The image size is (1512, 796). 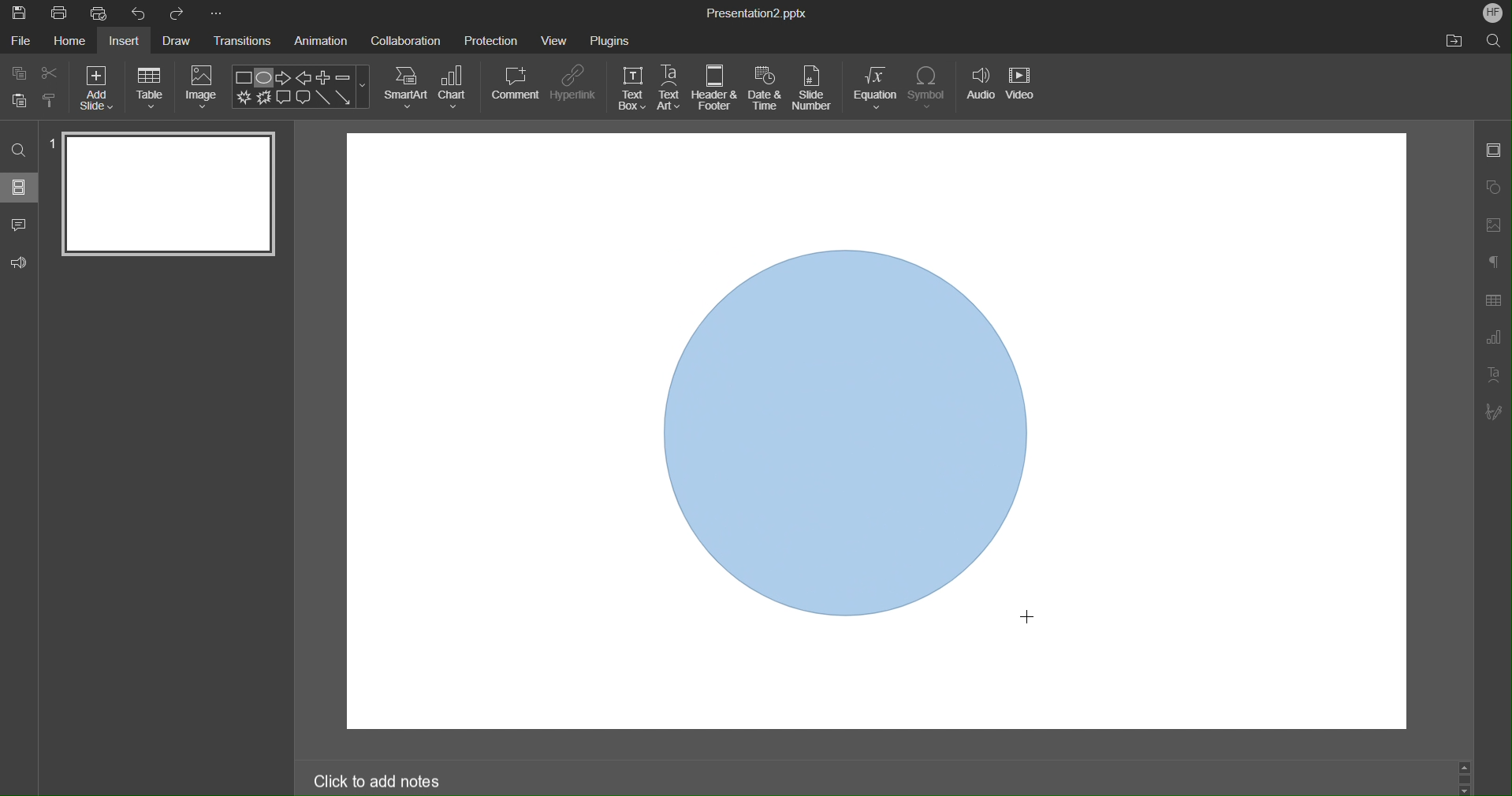 I want to click on Text Art, so click(x=1495, y=379).